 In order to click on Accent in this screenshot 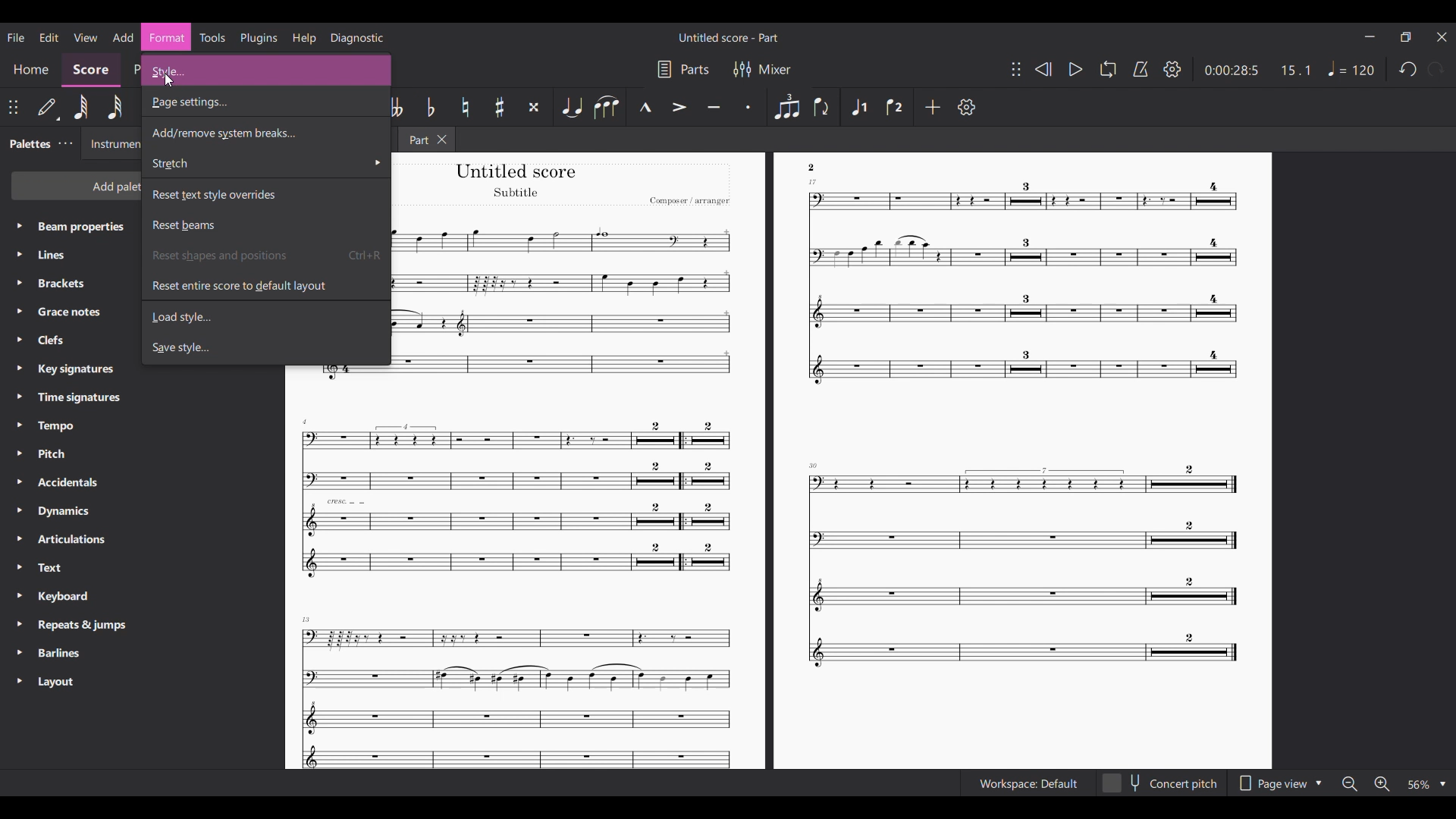, I will do `click(678, 107)`.